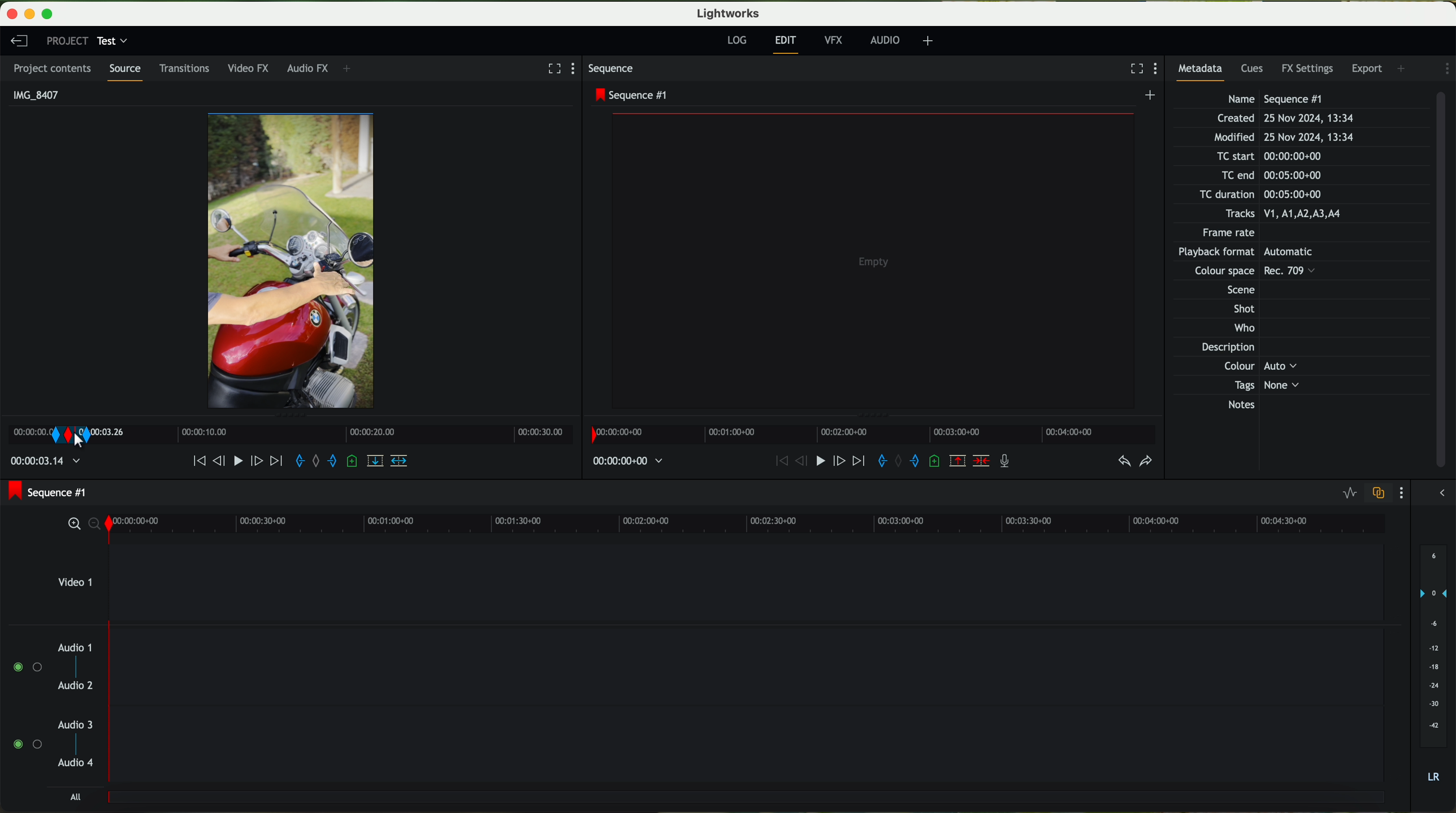 The width and height of the screenshot is (1456, 813). I want to click on undo, so click(1123, 461).